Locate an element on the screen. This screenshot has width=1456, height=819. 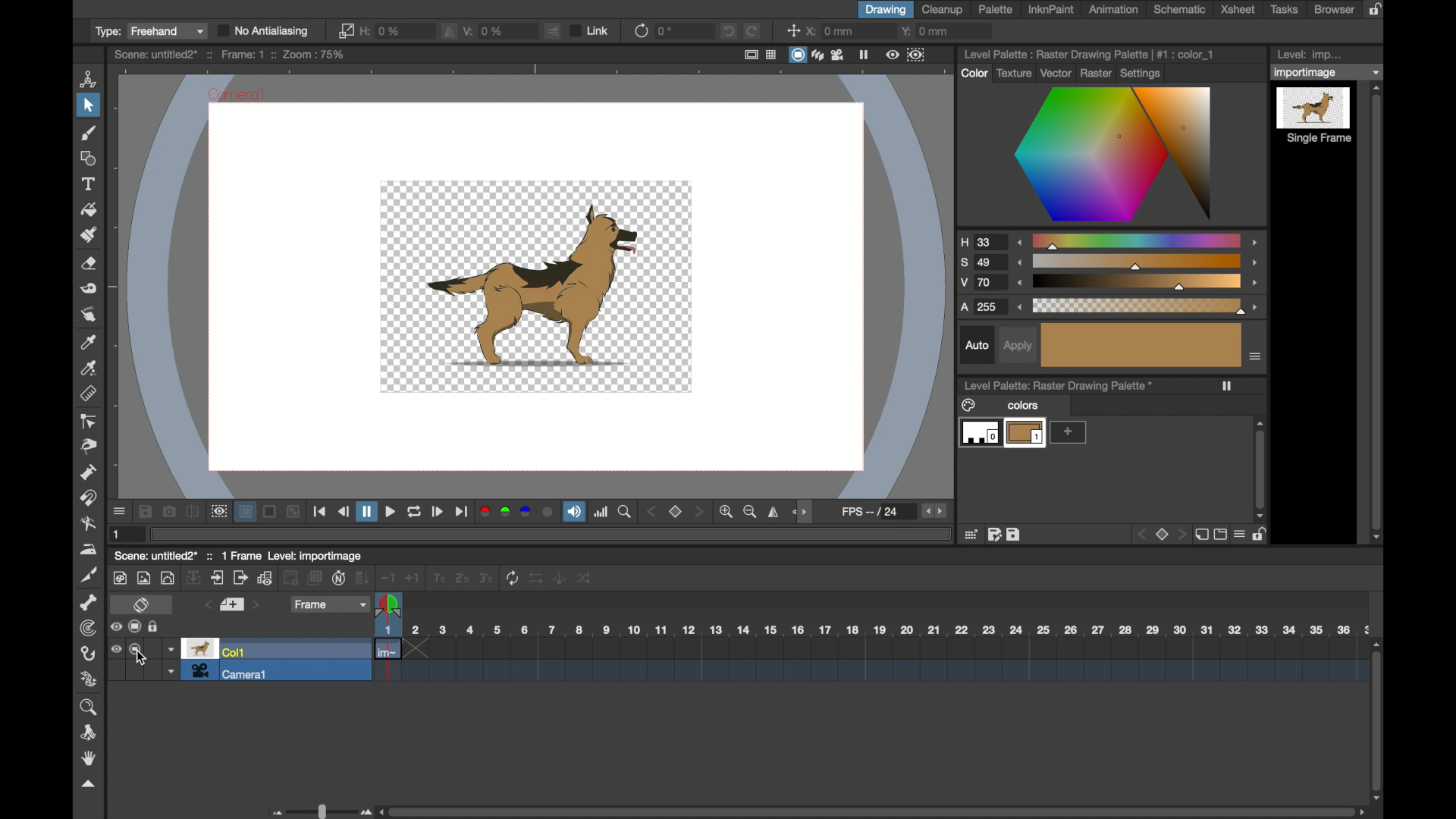
menu is located at coordinates (1239, 534).